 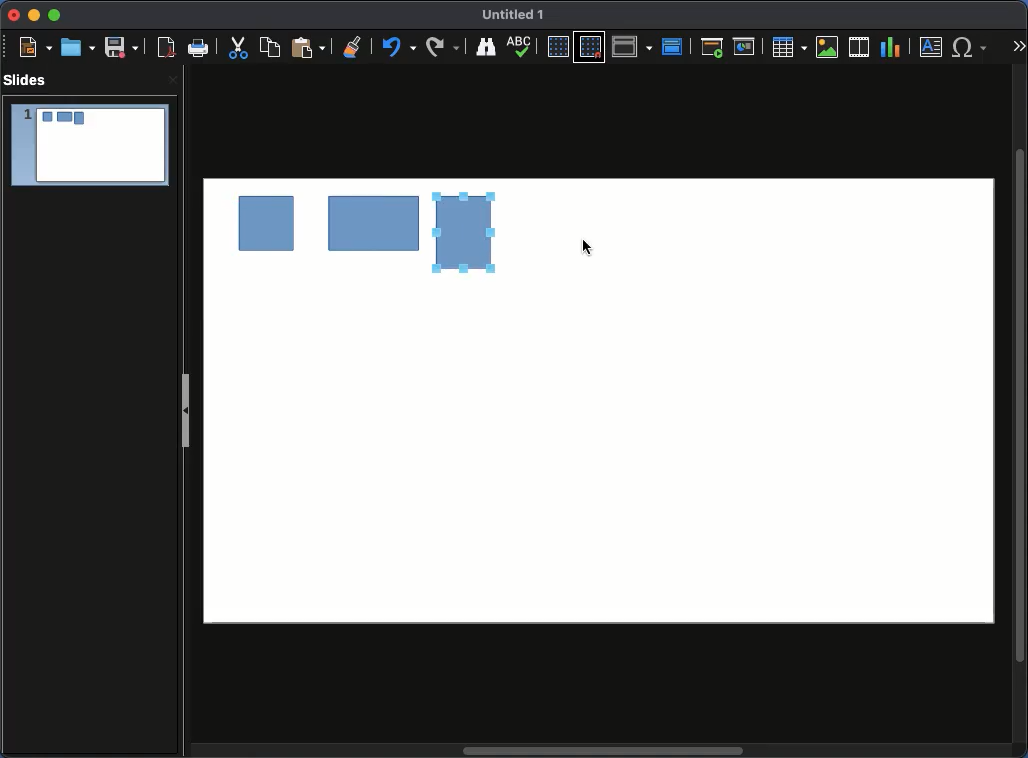 I want to click on Audio or video, so click(x=860, y=47).